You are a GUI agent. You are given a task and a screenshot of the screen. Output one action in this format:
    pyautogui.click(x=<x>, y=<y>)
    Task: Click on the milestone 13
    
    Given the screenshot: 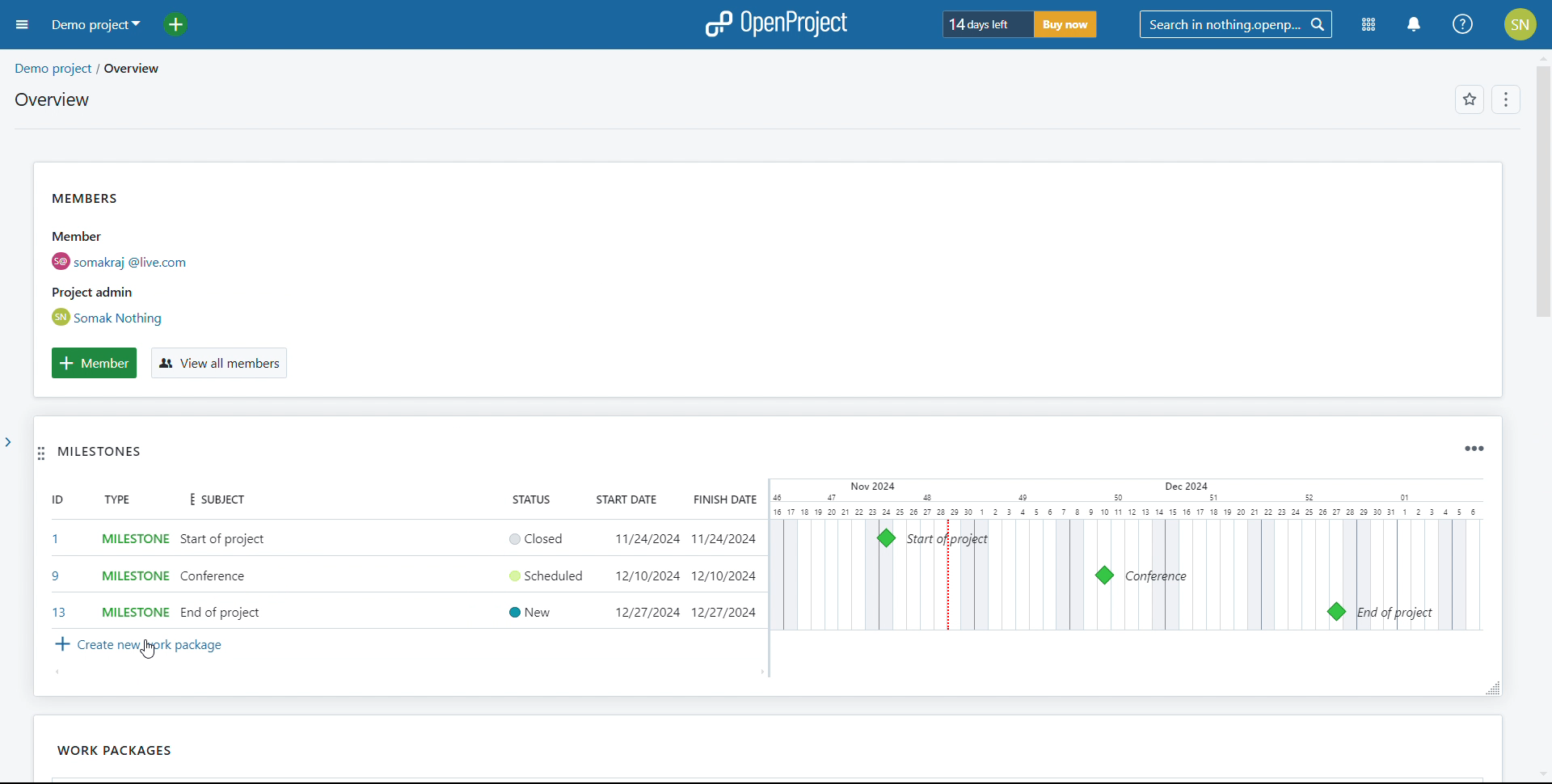 What is the action you would take?
    pyautogui.click(x=1335, y=612)
    